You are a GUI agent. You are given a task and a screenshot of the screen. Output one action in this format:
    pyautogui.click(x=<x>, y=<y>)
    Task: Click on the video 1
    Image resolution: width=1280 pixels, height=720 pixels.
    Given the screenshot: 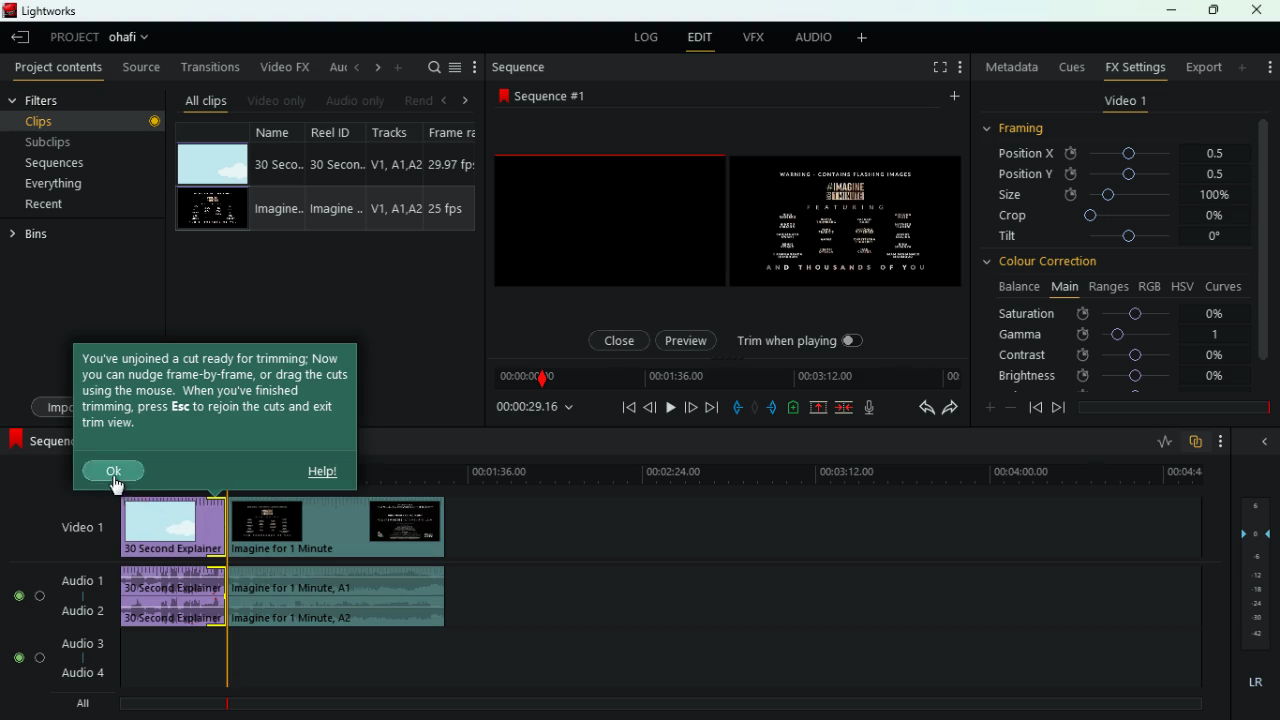 What is the action you would take?
    pyautogui.click(x=76, y=527)
    